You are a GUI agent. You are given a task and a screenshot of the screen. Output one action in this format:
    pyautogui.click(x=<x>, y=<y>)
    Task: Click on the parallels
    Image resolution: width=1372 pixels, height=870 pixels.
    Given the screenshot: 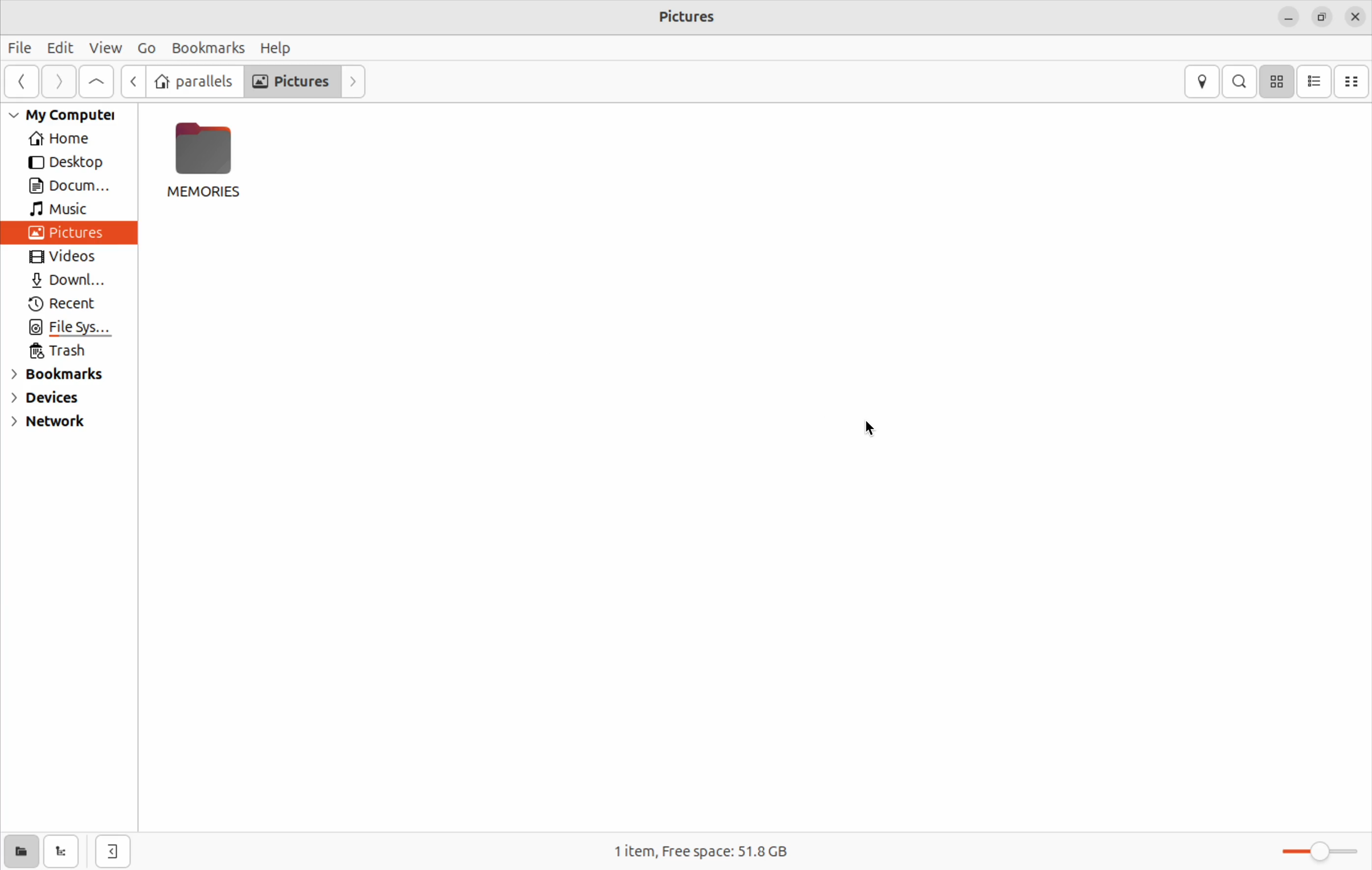 What is the action you would take?
    pyautogui.click(x=193, y=81)
    